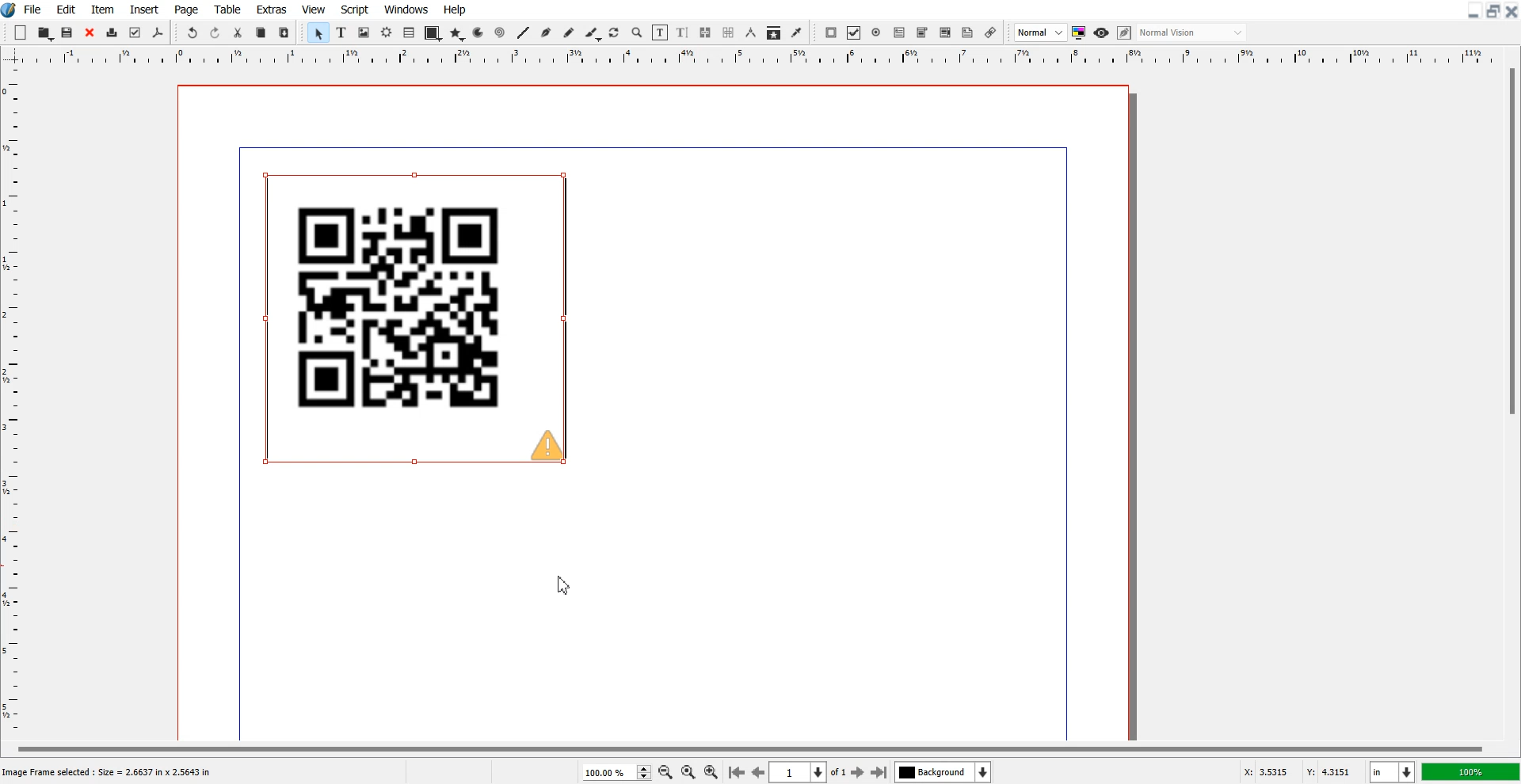 The width and height of the screenshot is (1521, 784). Describe the element at coordinates (364, 32) in the screenshot. I see `Image Frame` at that location.